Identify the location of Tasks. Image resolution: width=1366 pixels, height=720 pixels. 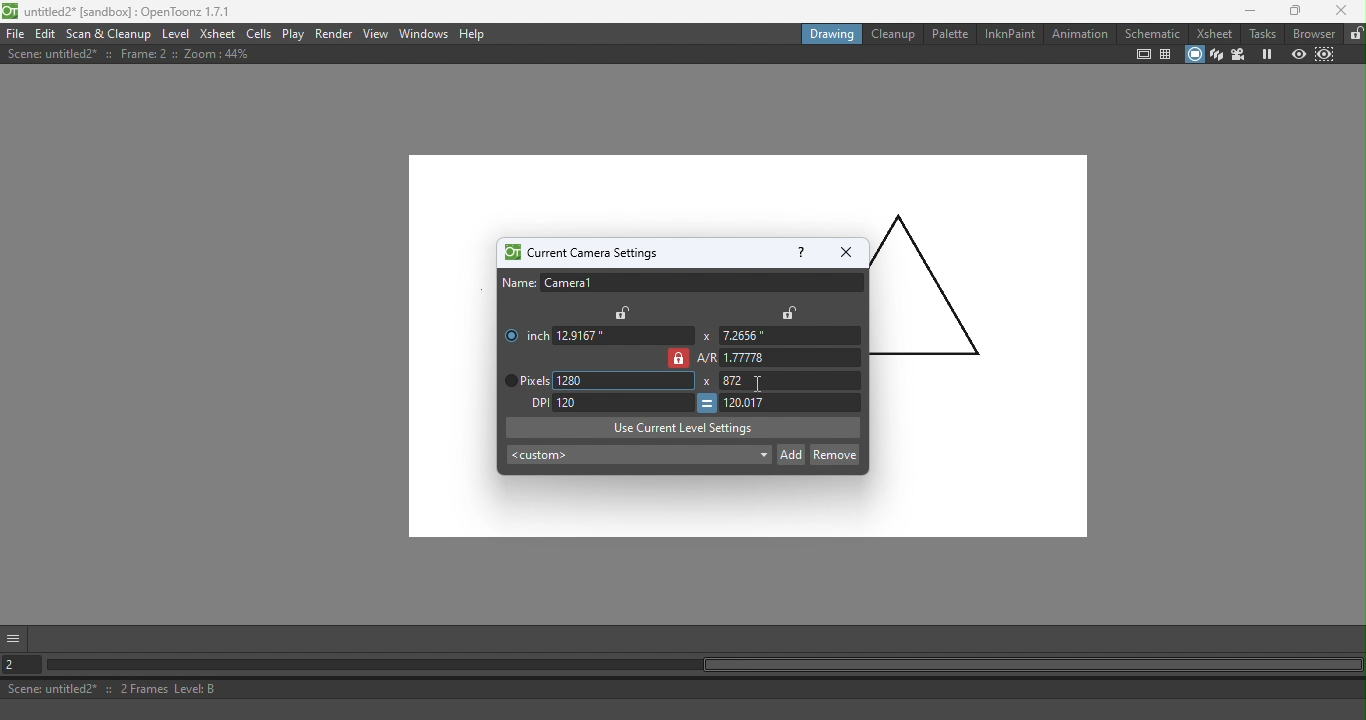
(1261, 34).